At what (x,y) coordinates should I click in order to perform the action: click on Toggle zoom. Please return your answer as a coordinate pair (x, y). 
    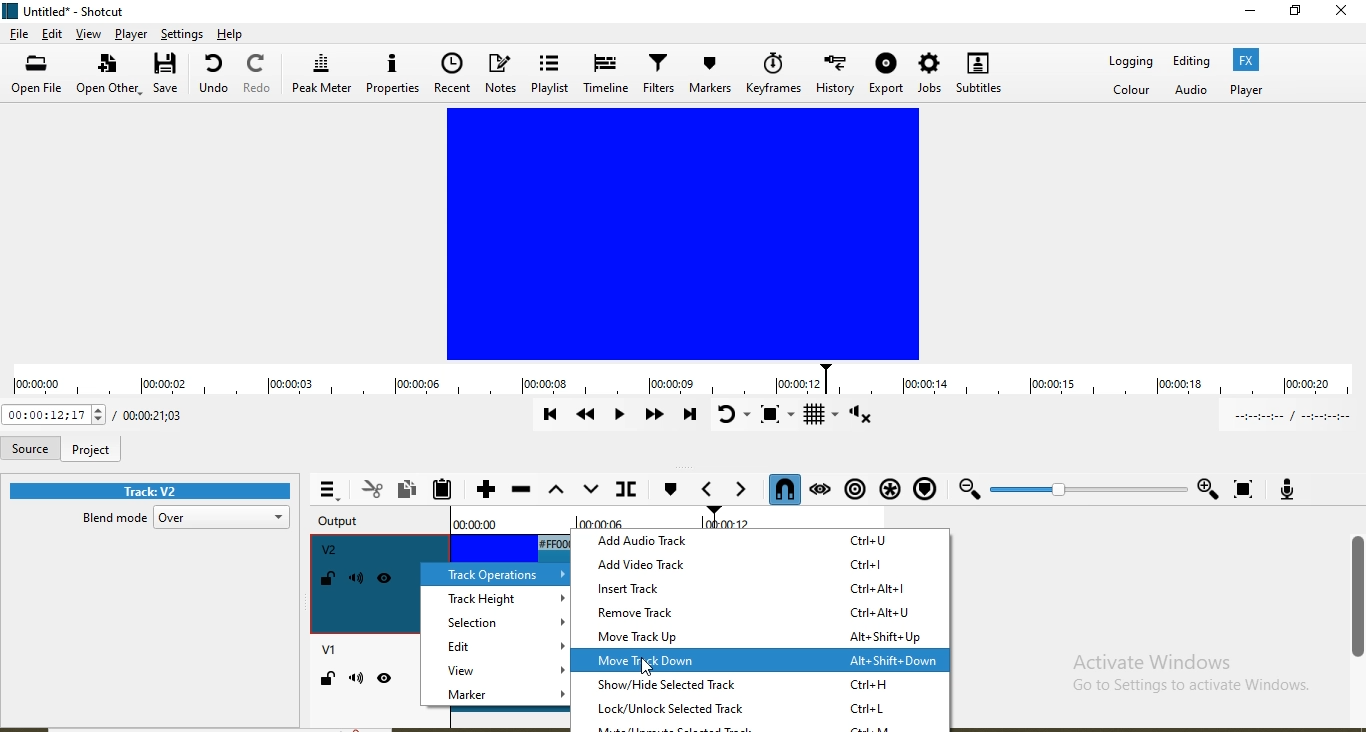
    Looking at the image, I should click on (774, 418).